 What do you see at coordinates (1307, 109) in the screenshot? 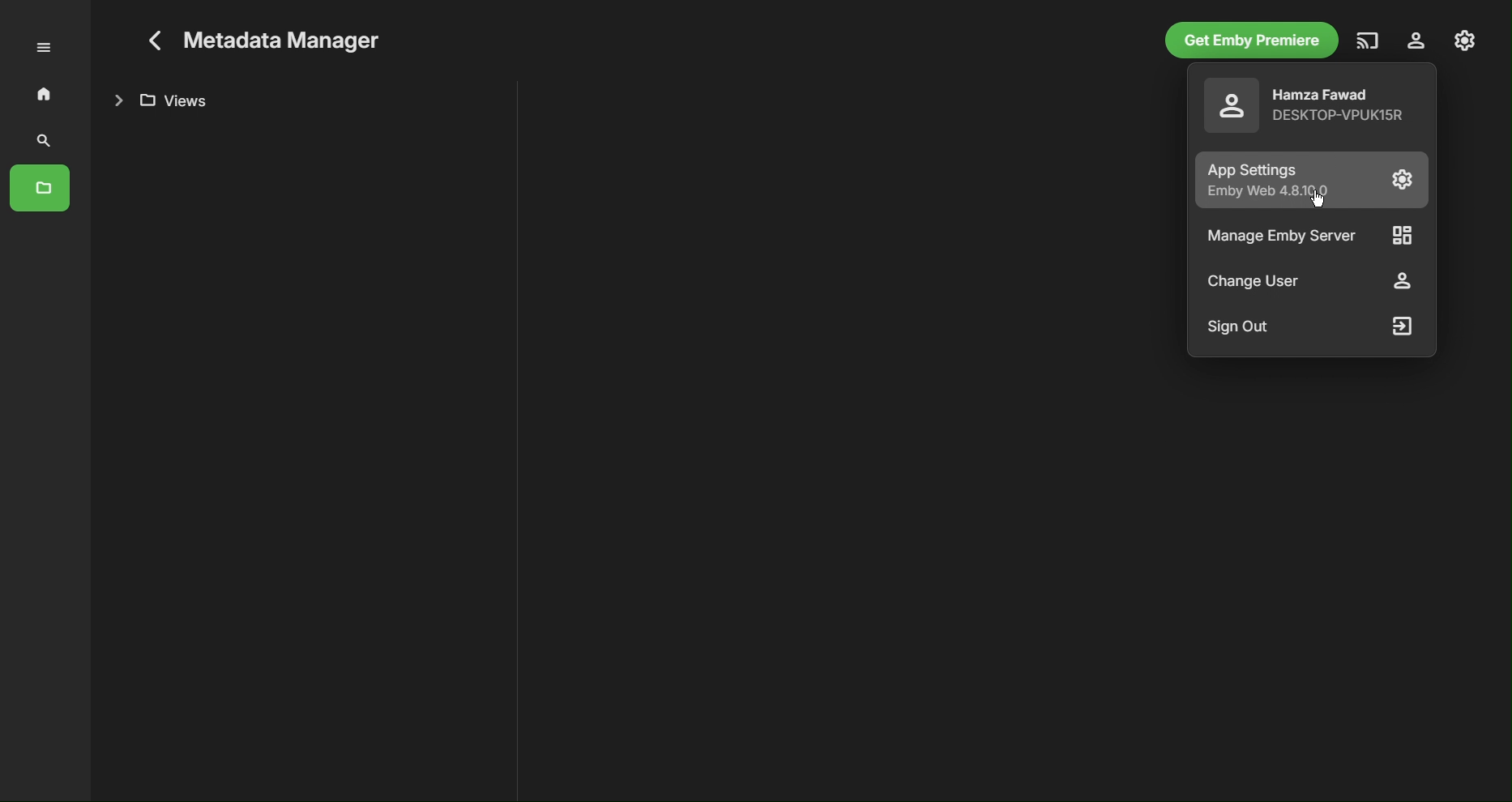
I see `Account Details` at bounding box center [1307, 109].